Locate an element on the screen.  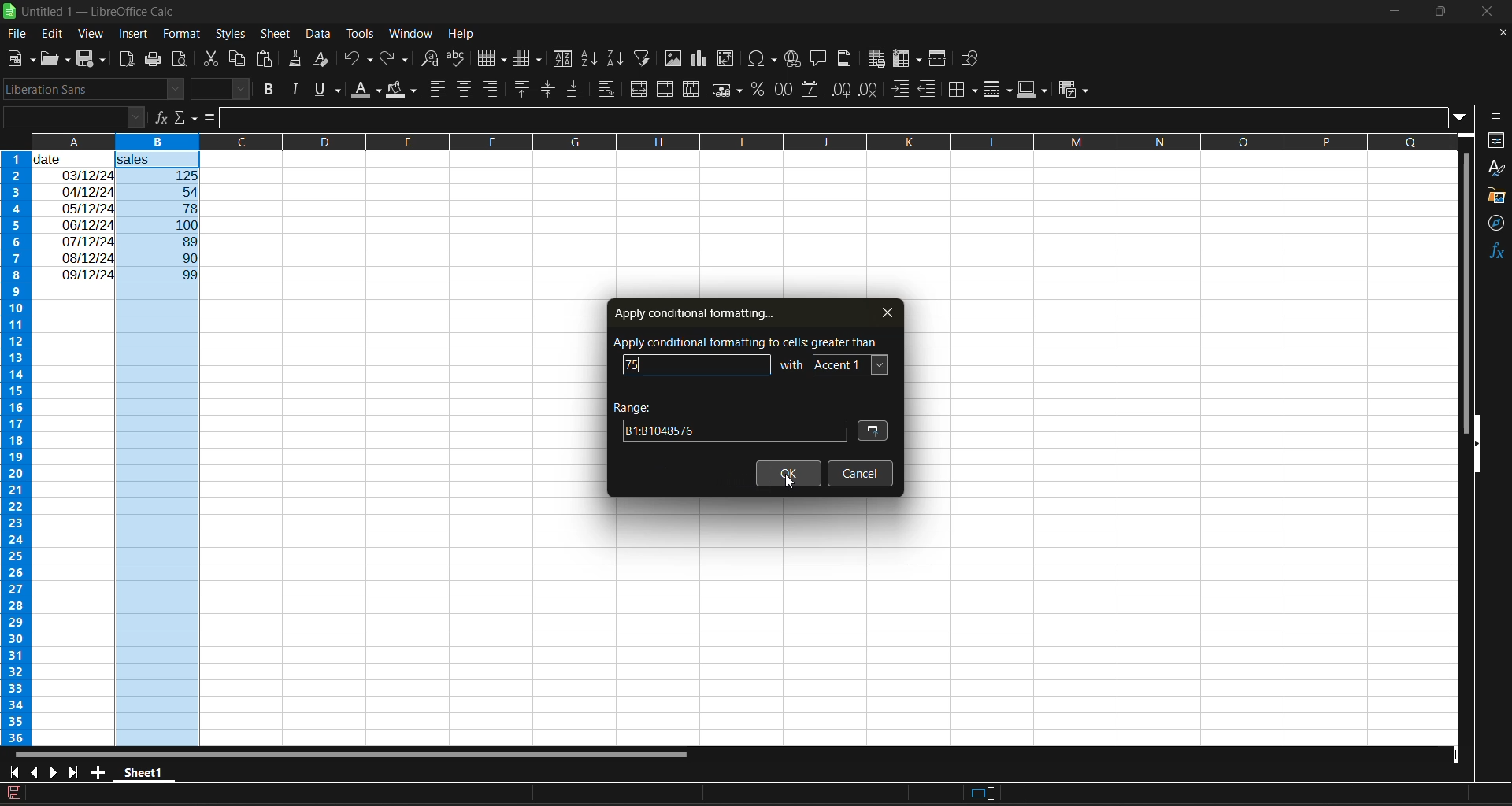
data is located at coordinates (317, 35).